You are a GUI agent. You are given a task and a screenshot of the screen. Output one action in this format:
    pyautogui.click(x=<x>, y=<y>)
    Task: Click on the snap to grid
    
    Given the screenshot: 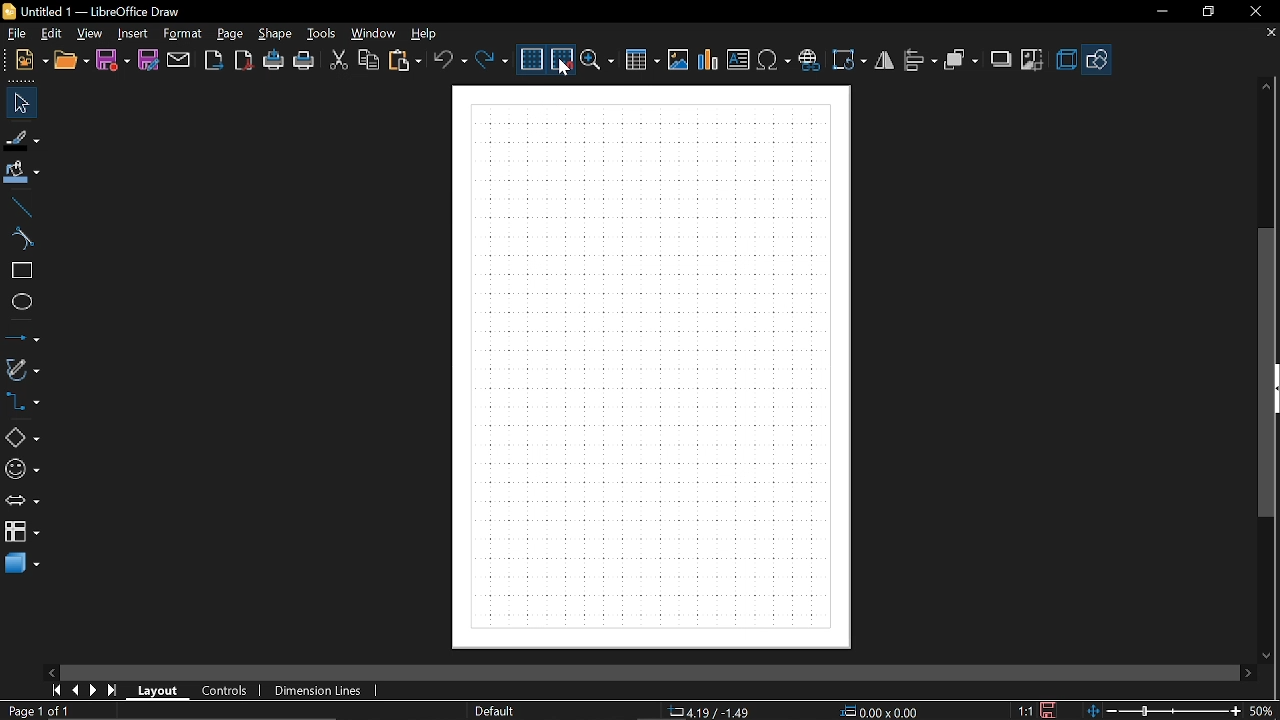 What is the action you would take?
    pyautogui.click(x=563, y=60)
    